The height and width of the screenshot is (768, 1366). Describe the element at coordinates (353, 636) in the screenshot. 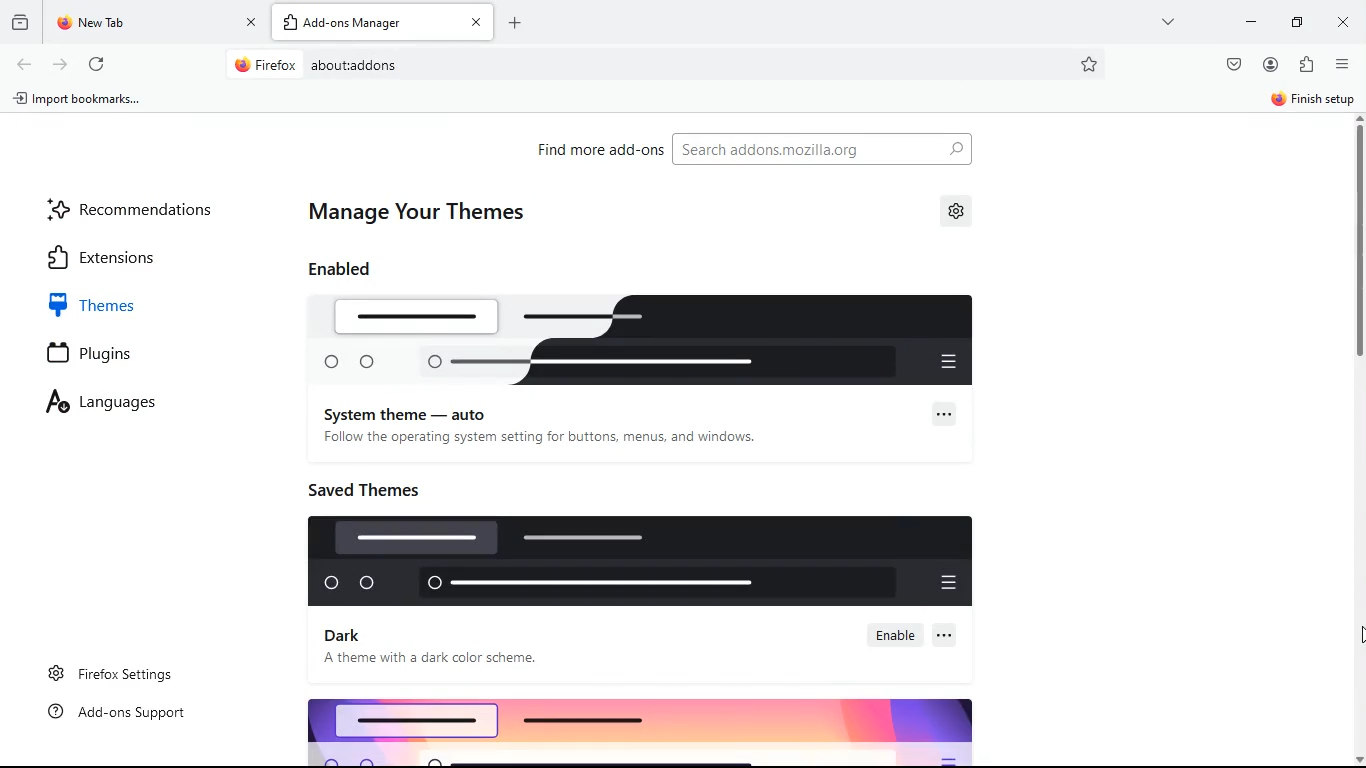

I see `dark` at that location.